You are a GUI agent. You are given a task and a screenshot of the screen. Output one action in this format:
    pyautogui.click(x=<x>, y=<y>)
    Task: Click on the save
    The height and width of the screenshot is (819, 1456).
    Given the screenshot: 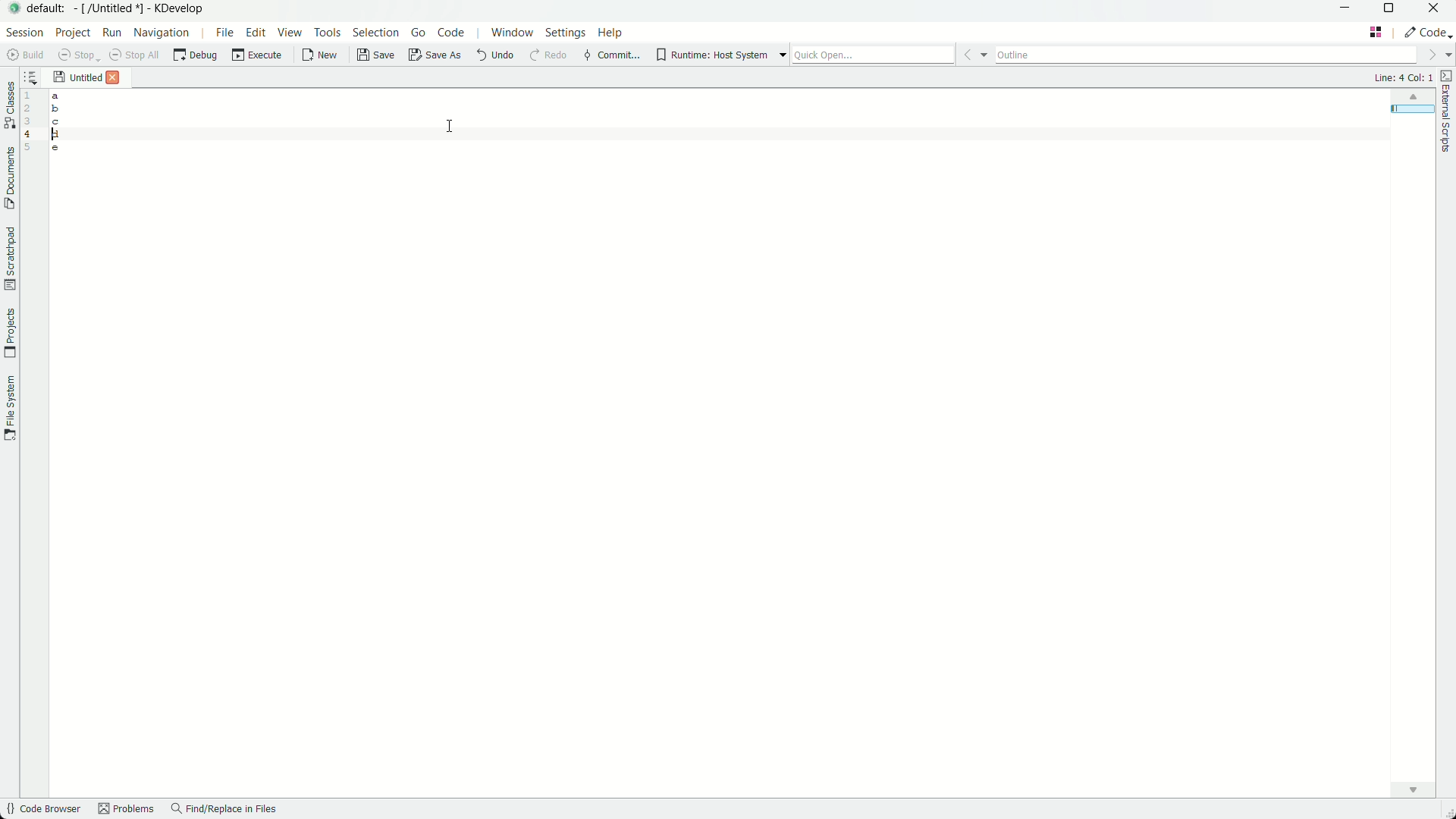 What is the action you would take?
    pyautogui.click(x=375, y=58)
    